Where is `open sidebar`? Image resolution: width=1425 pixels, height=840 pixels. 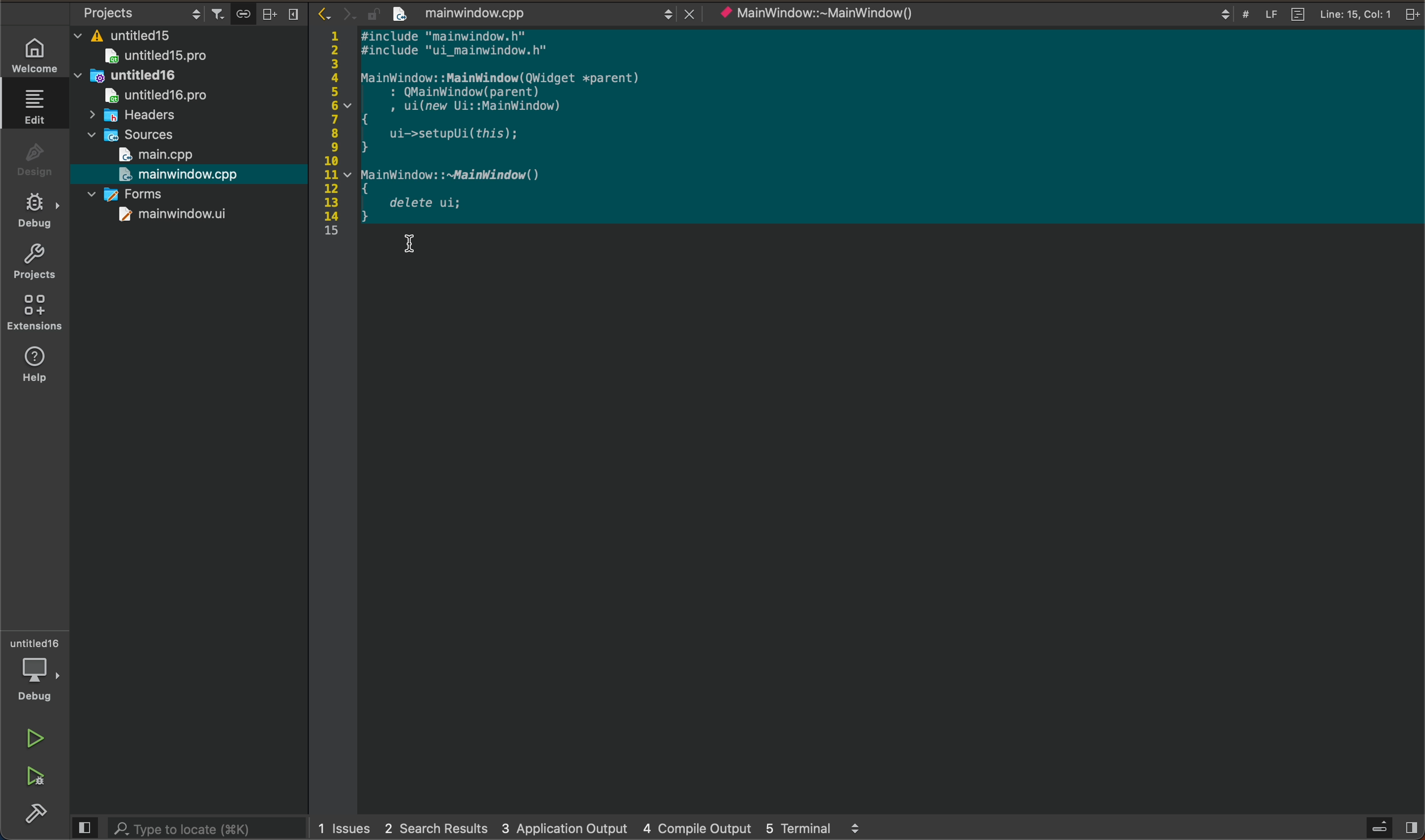 open sidebar is located at coordinates (1382, 827).